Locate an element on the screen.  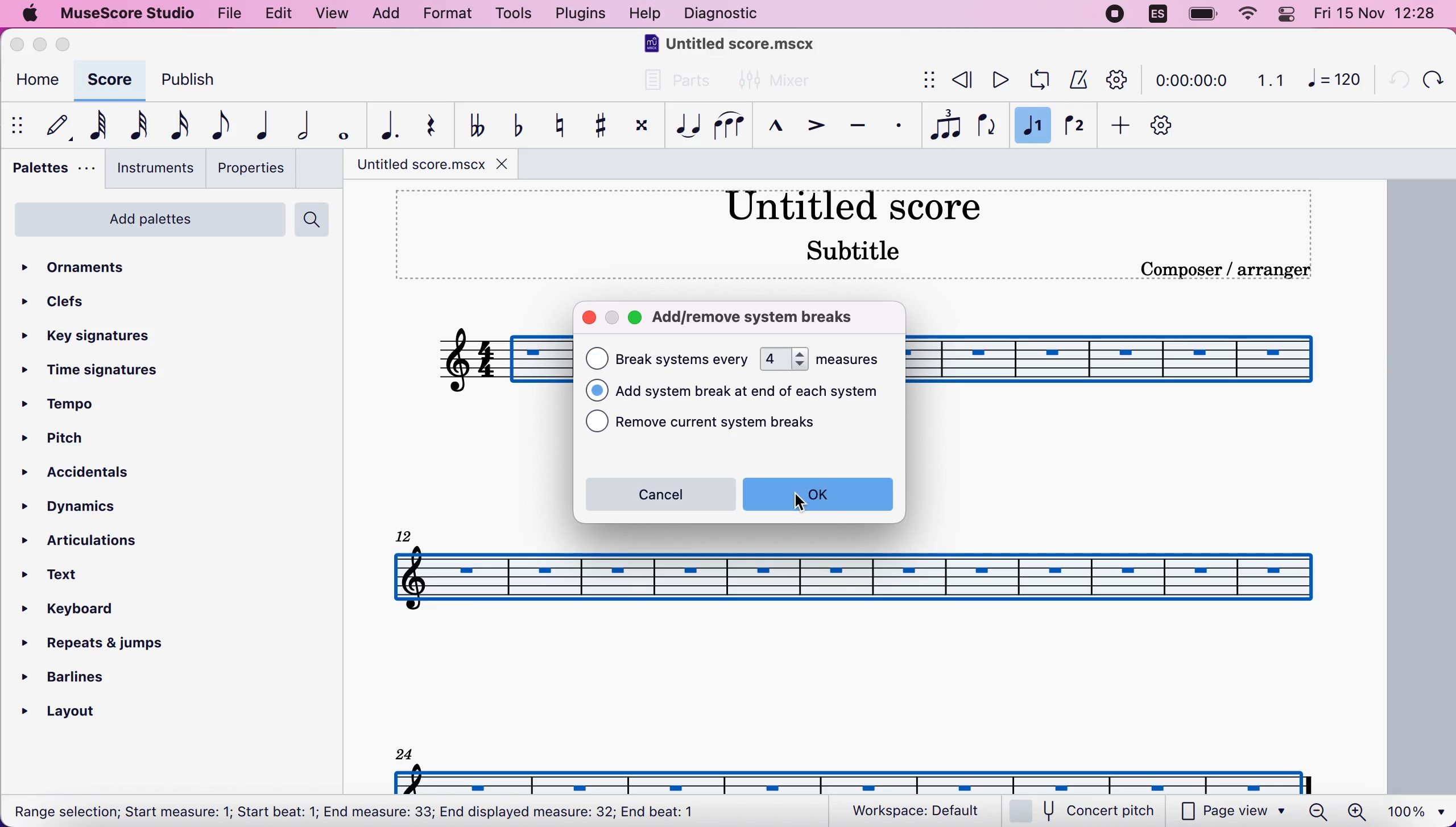
dynamics is located at coordinates (85, 507).